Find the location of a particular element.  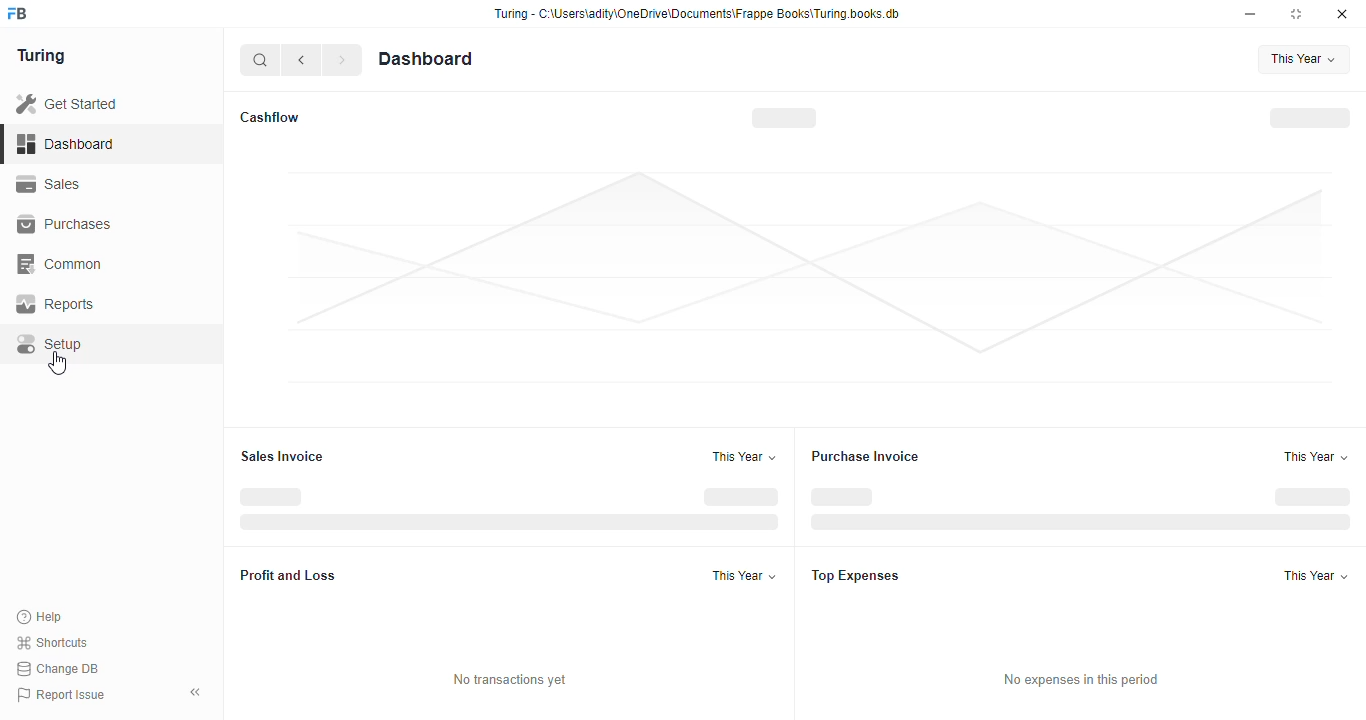

Sales Invoice is located at coordinates (285, 459).